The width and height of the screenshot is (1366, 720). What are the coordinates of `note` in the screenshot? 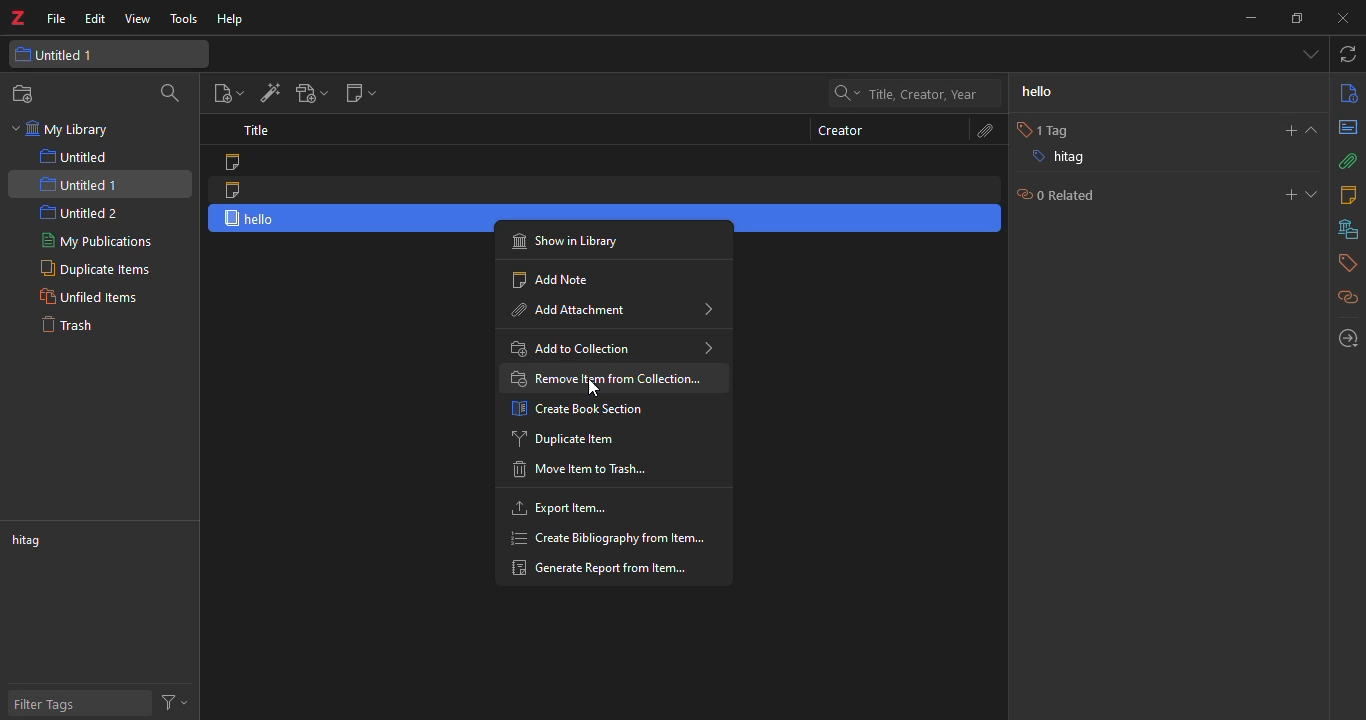 It's located at (235, 189).